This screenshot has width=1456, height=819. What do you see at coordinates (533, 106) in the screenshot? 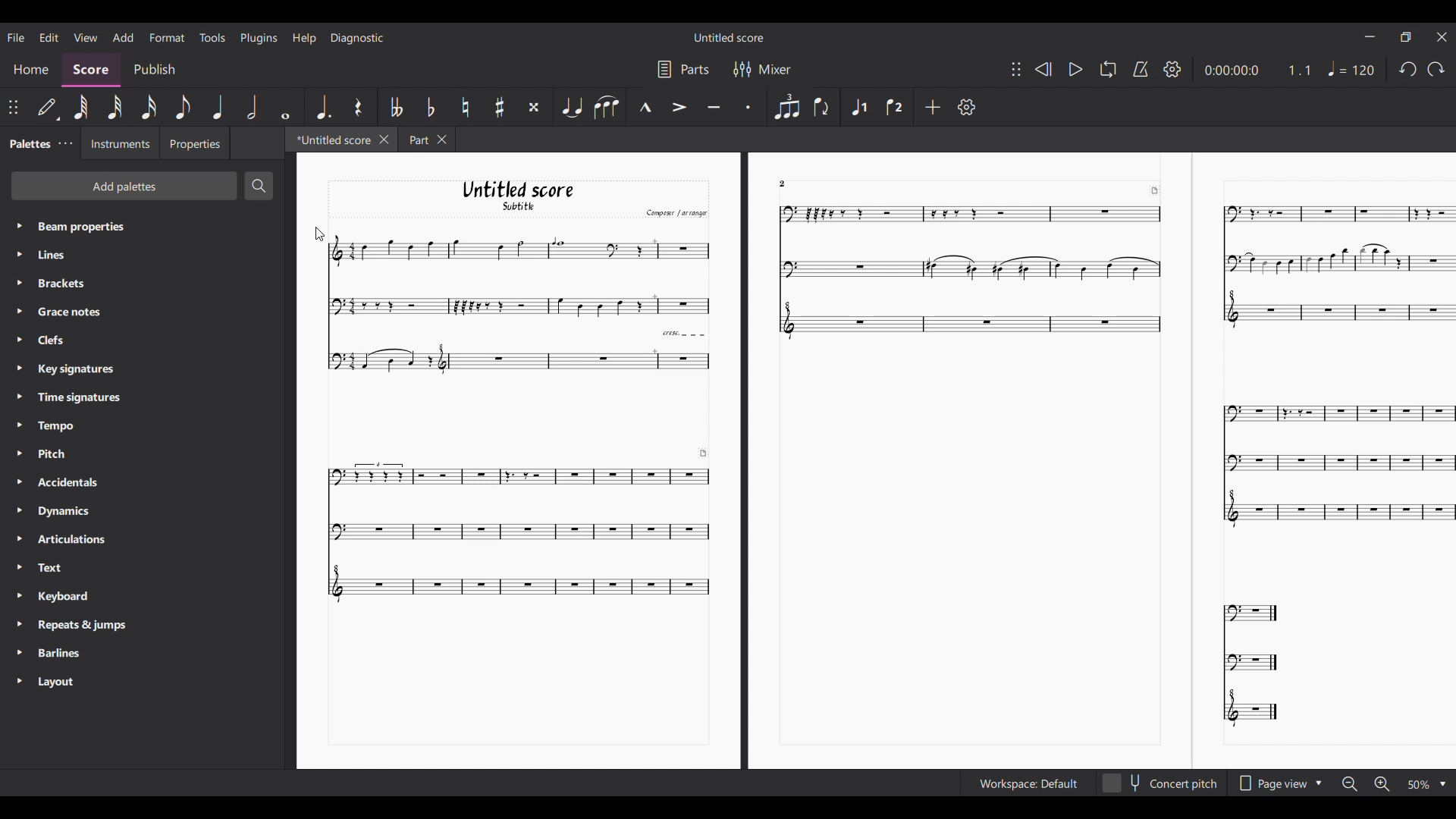
I see `Toggle double sharp` at bounding box center [533, 106].